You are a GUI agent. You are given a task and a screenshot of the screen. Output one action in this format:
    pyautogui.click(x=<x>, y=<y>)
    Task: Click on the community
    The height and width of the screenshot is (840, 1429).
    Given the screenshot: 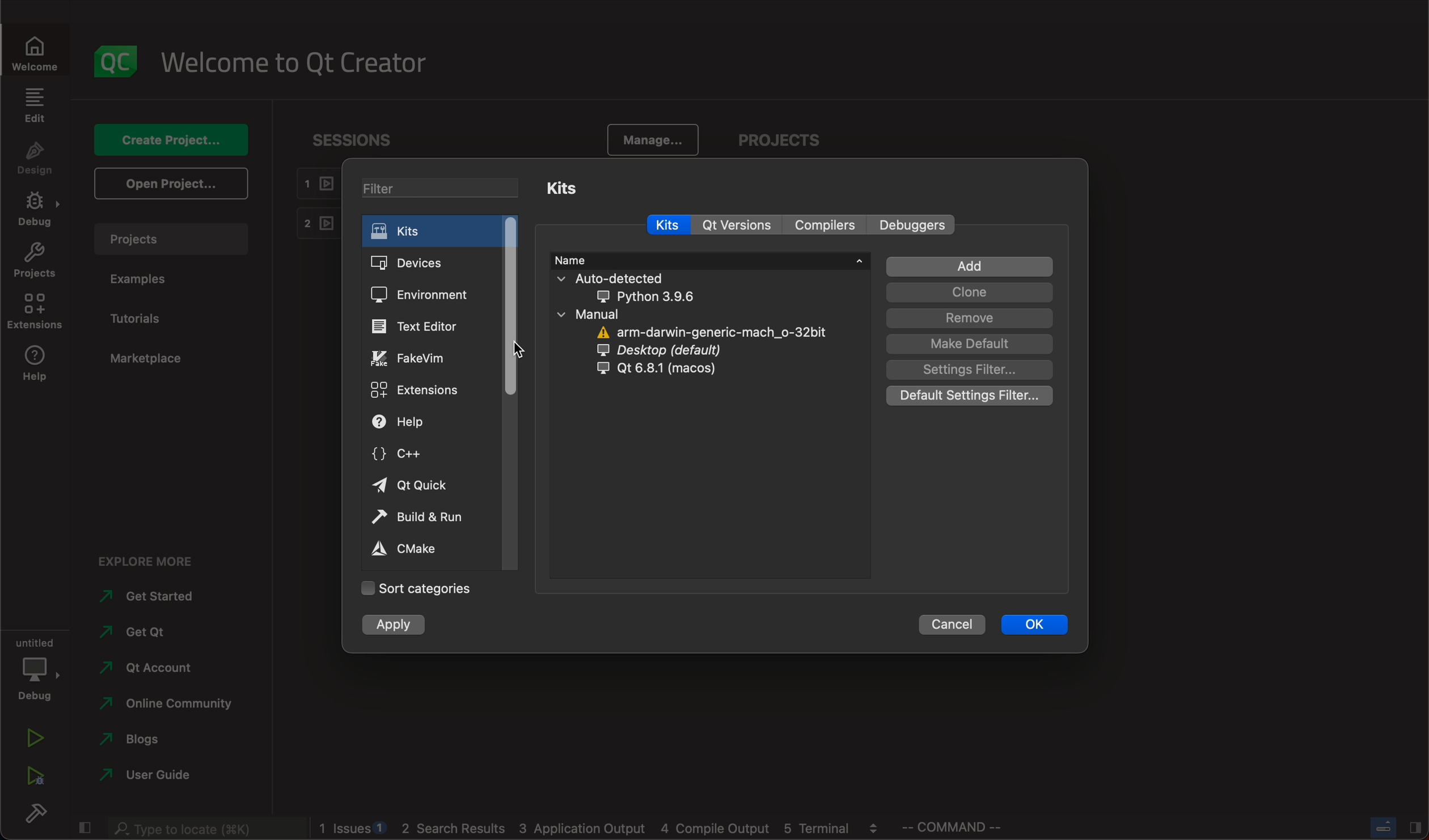 What is the action you would take?
    pyautogui.click(x=174, y=705)
    